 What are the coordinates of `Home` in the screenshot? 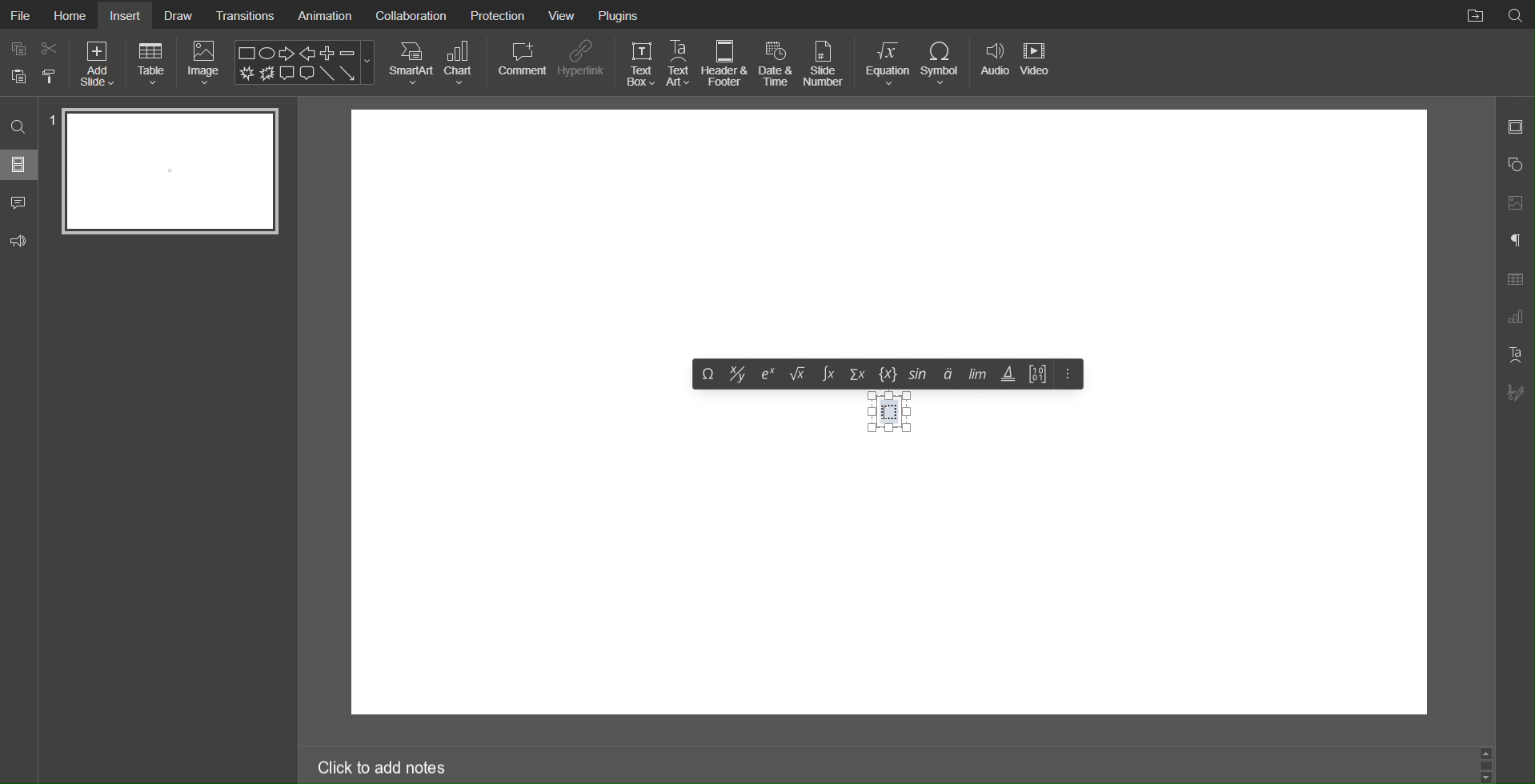 It's located at (71, 16).